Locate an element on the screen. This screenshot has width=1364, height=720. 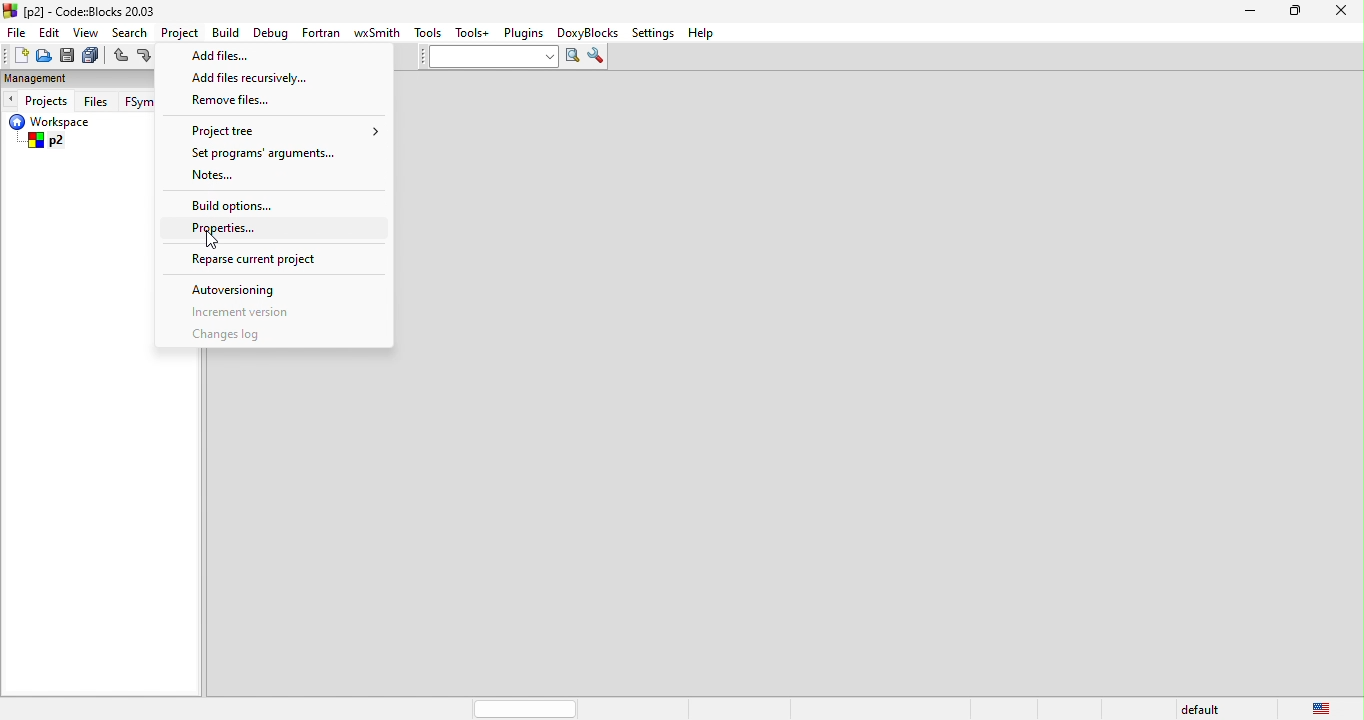
minimize is located at coordinates (1250, 13).